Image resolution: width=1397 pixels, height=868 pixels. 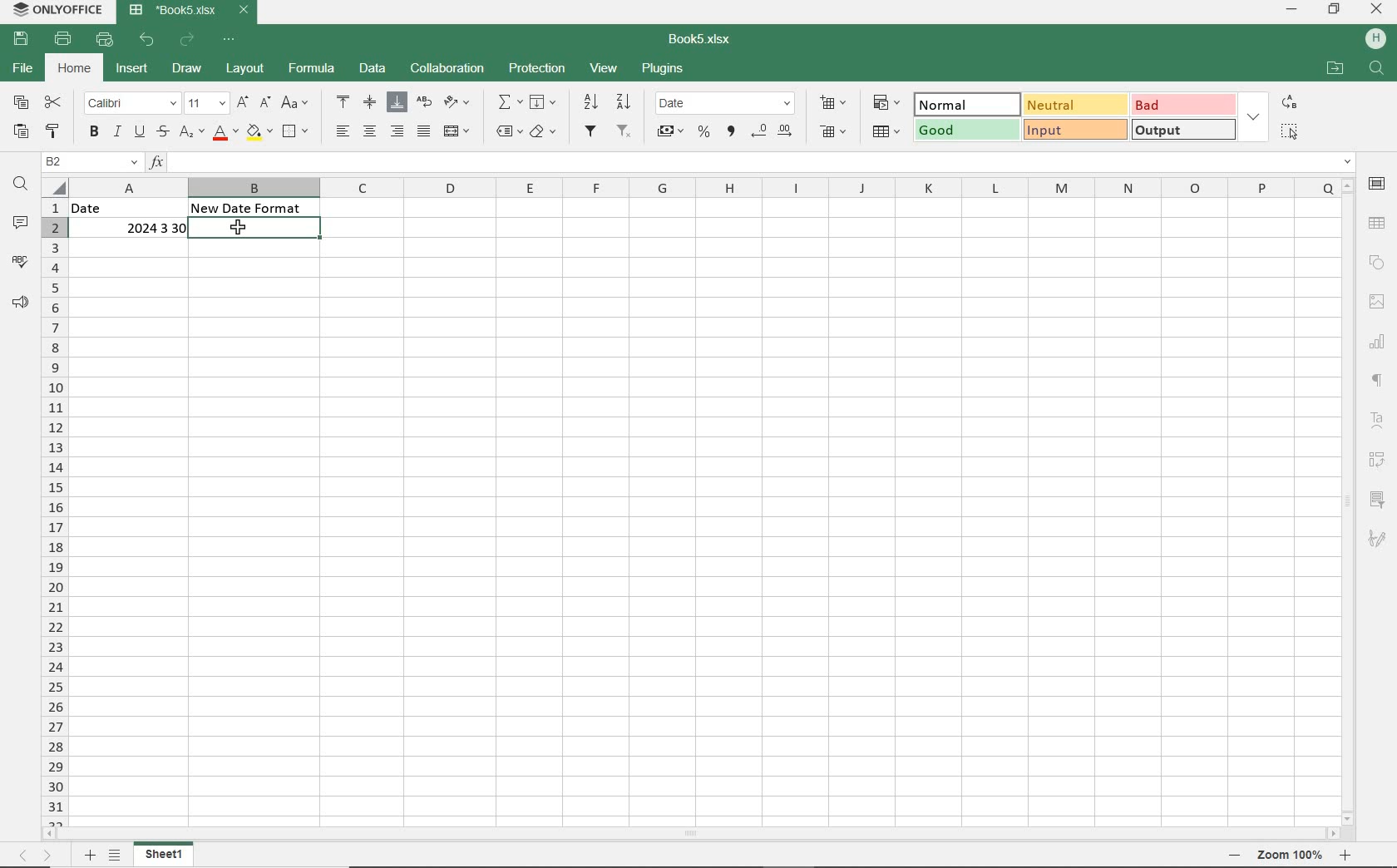 What do you see at coordinates (247, 70) in the screenshot?
I see `LAYOUT` at bounding box center [247, 70].